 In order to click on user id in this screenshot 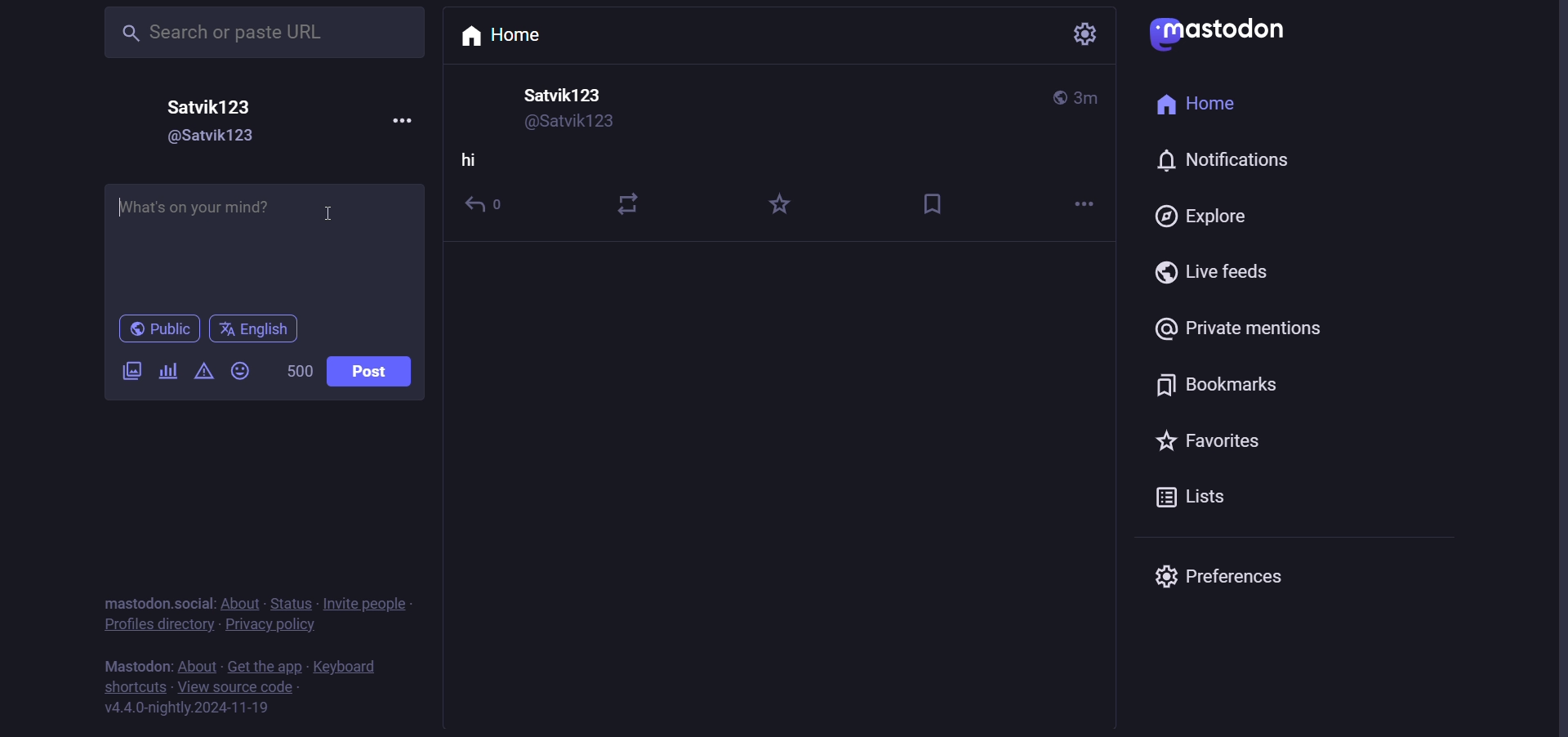, I will do `click(207, 140)`.